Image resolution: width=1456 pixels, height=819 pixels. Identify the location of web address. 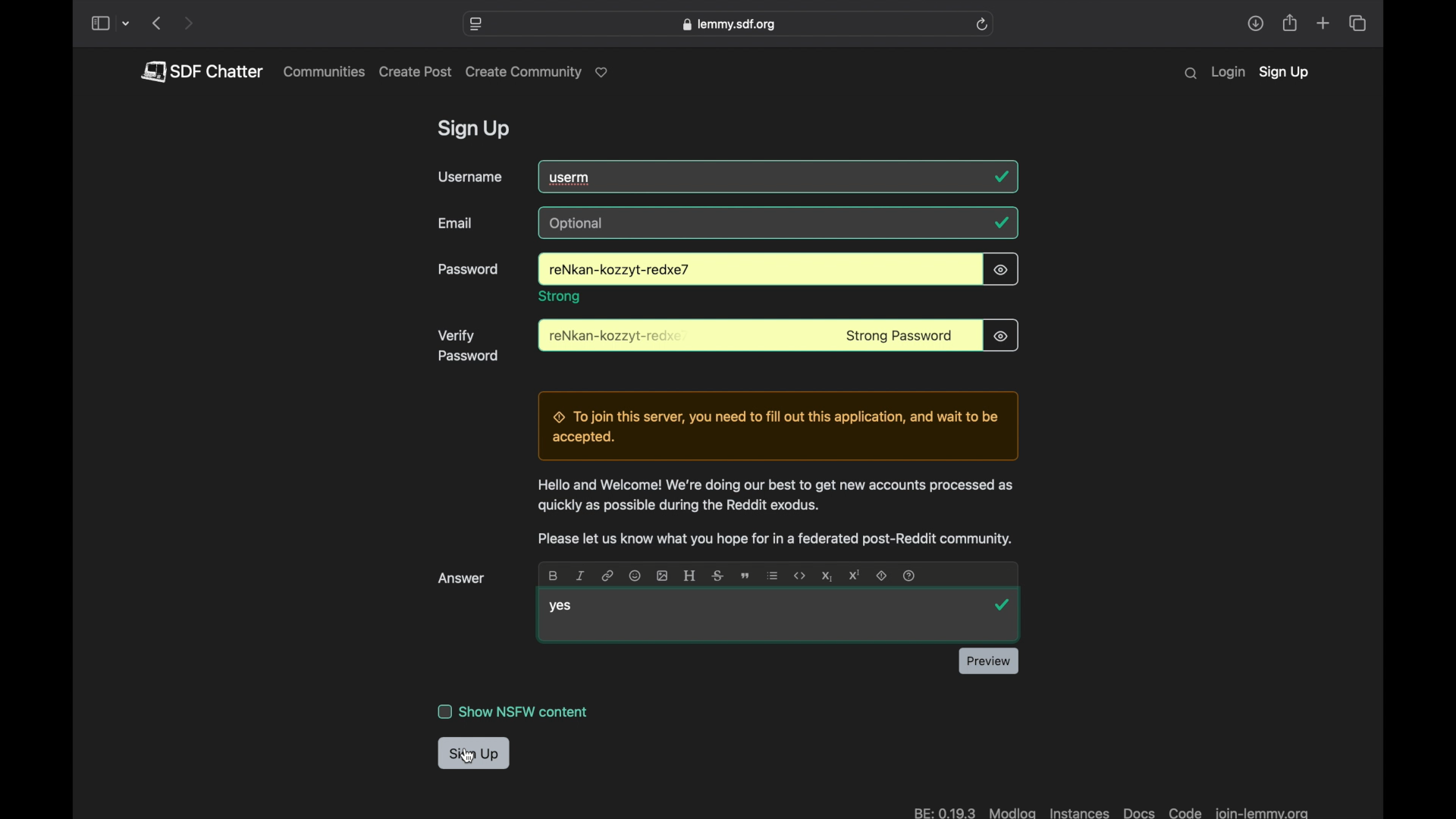
(728, 24).